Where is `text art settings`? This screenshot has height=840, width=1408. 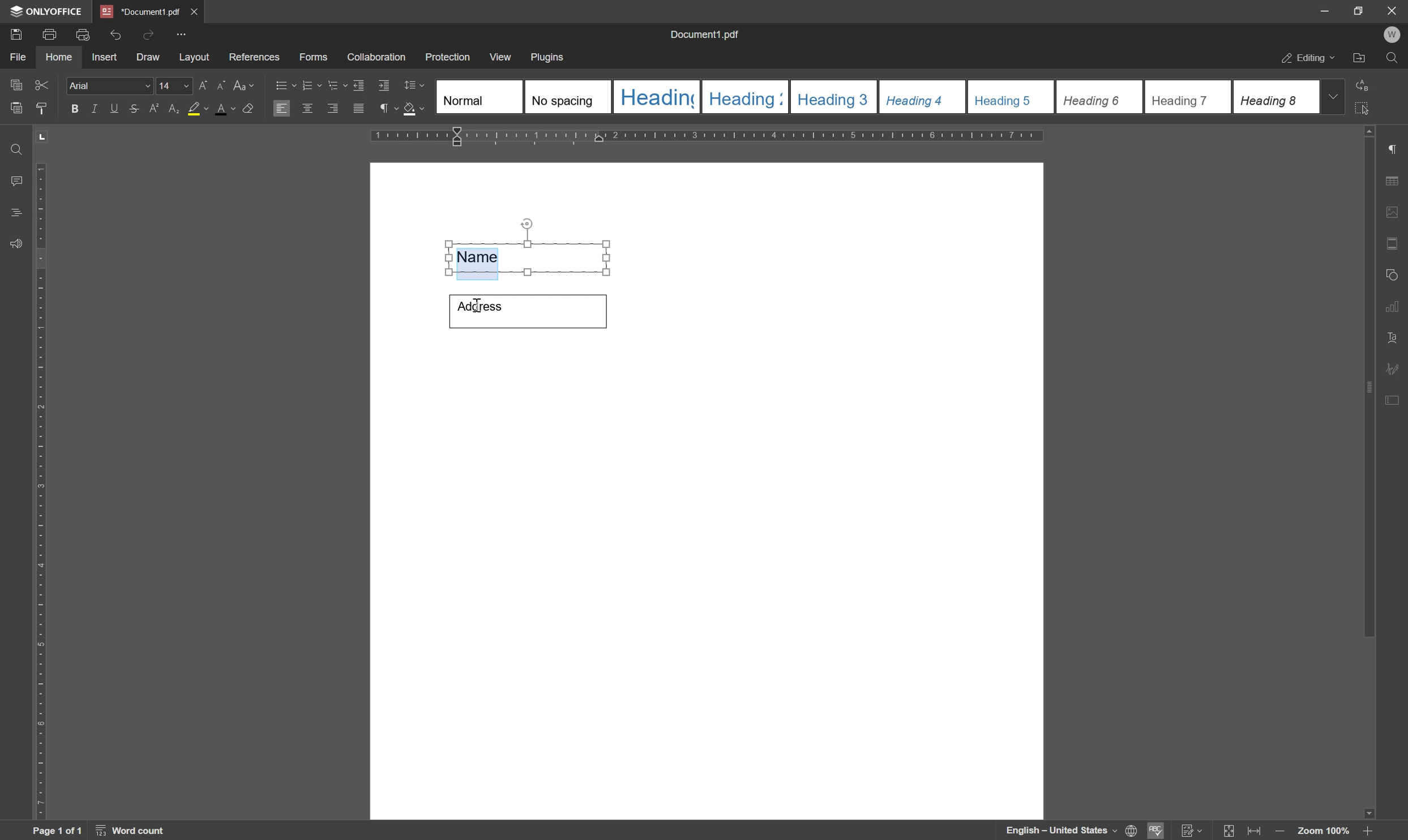
text art settings is located at coordinates (1397, 338).